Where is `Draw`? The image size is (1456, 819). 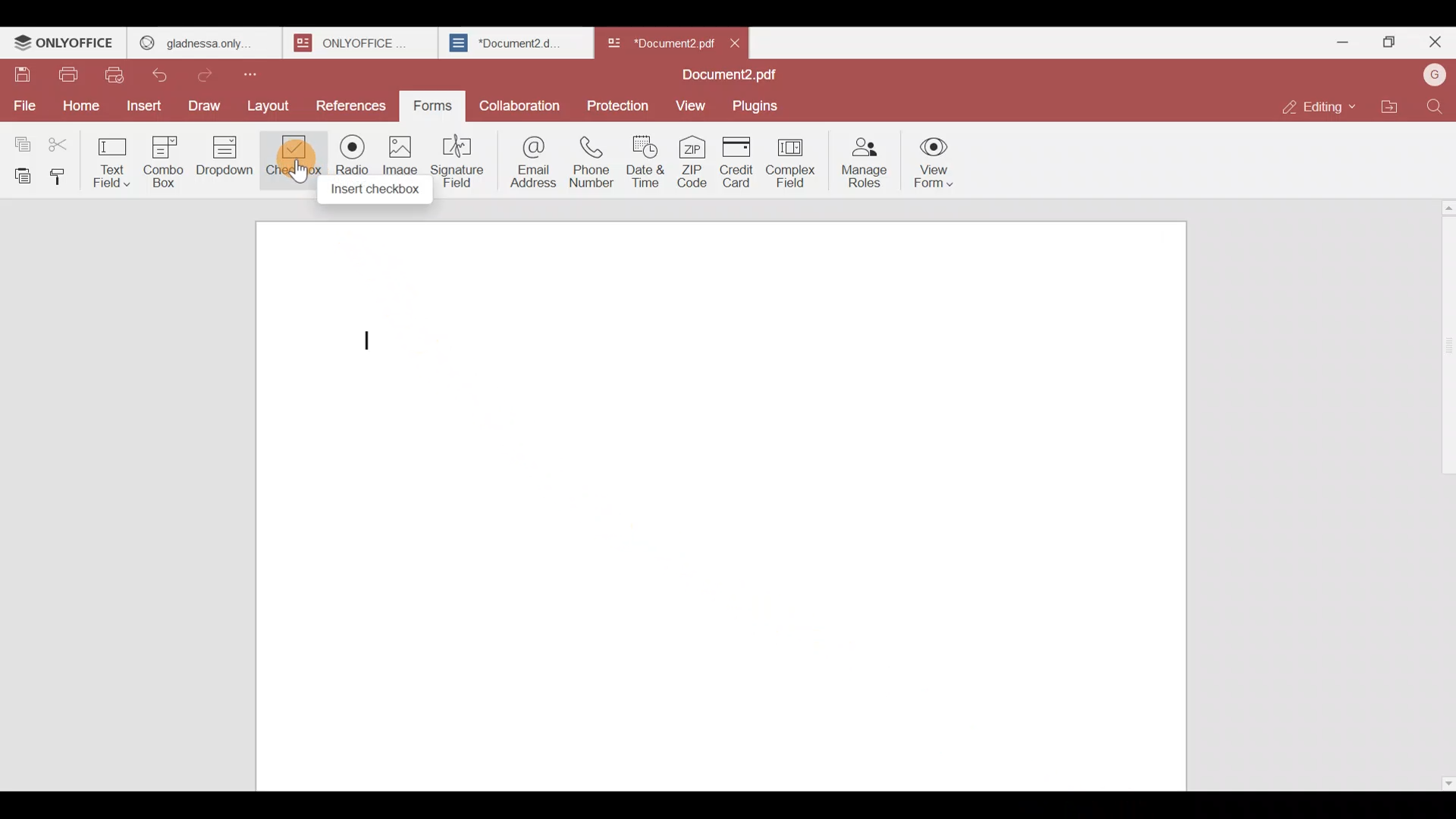
Draw is located at coordinates (209, 104).